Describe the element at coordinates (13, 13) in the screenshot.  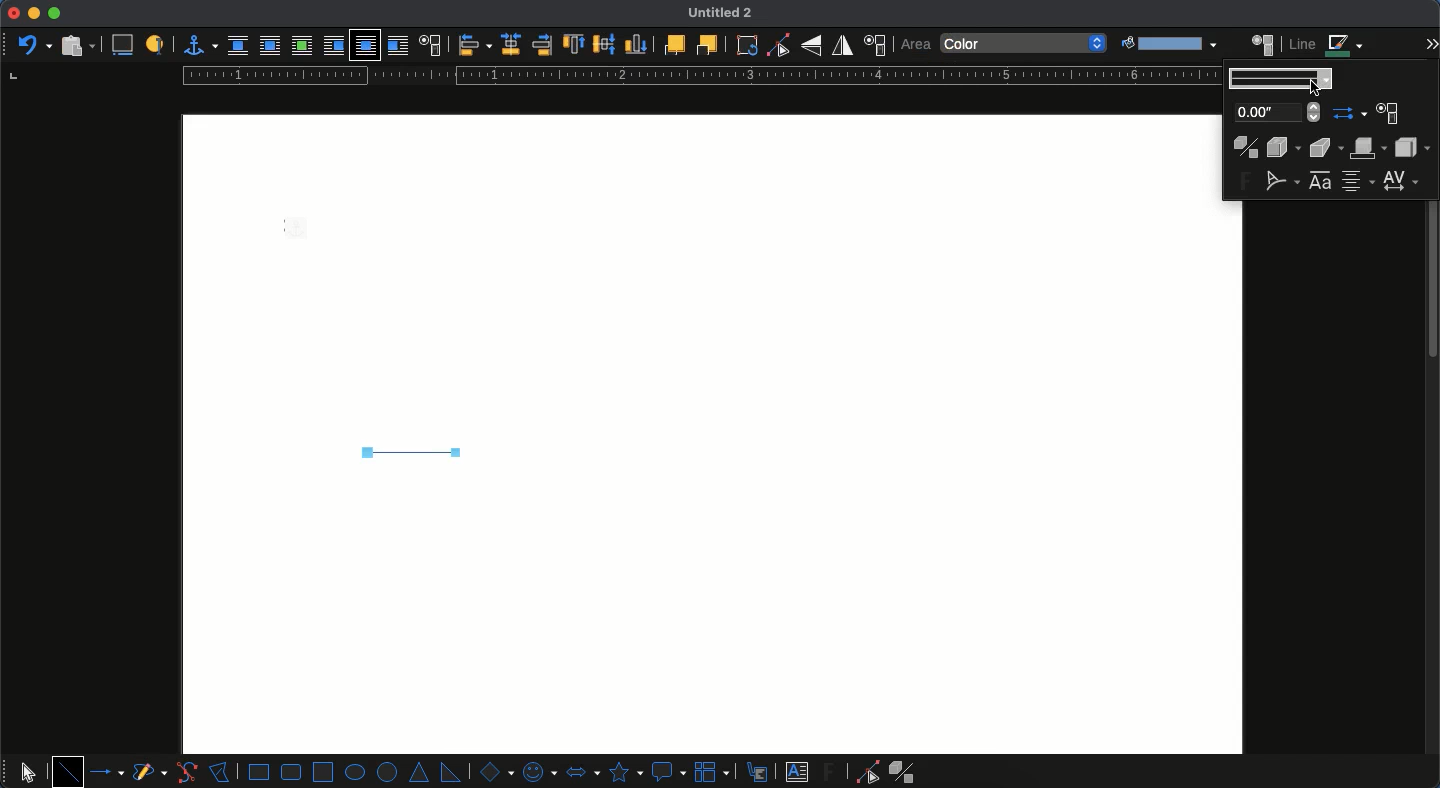
I see `close` at that location.